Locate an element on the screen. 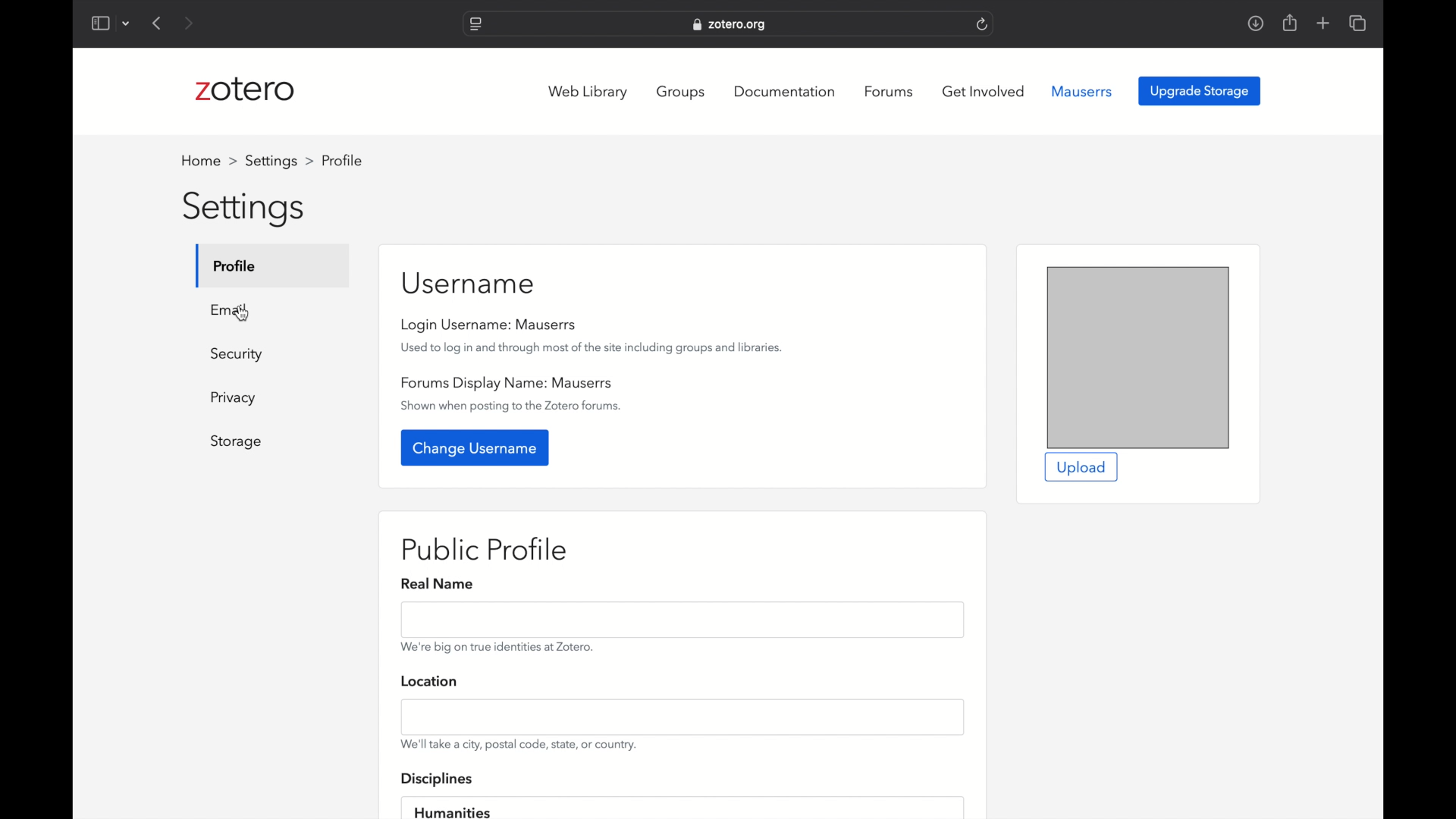 The height and width of the screenshot is (819, 1456). website address is located at coordinates (731, 25).